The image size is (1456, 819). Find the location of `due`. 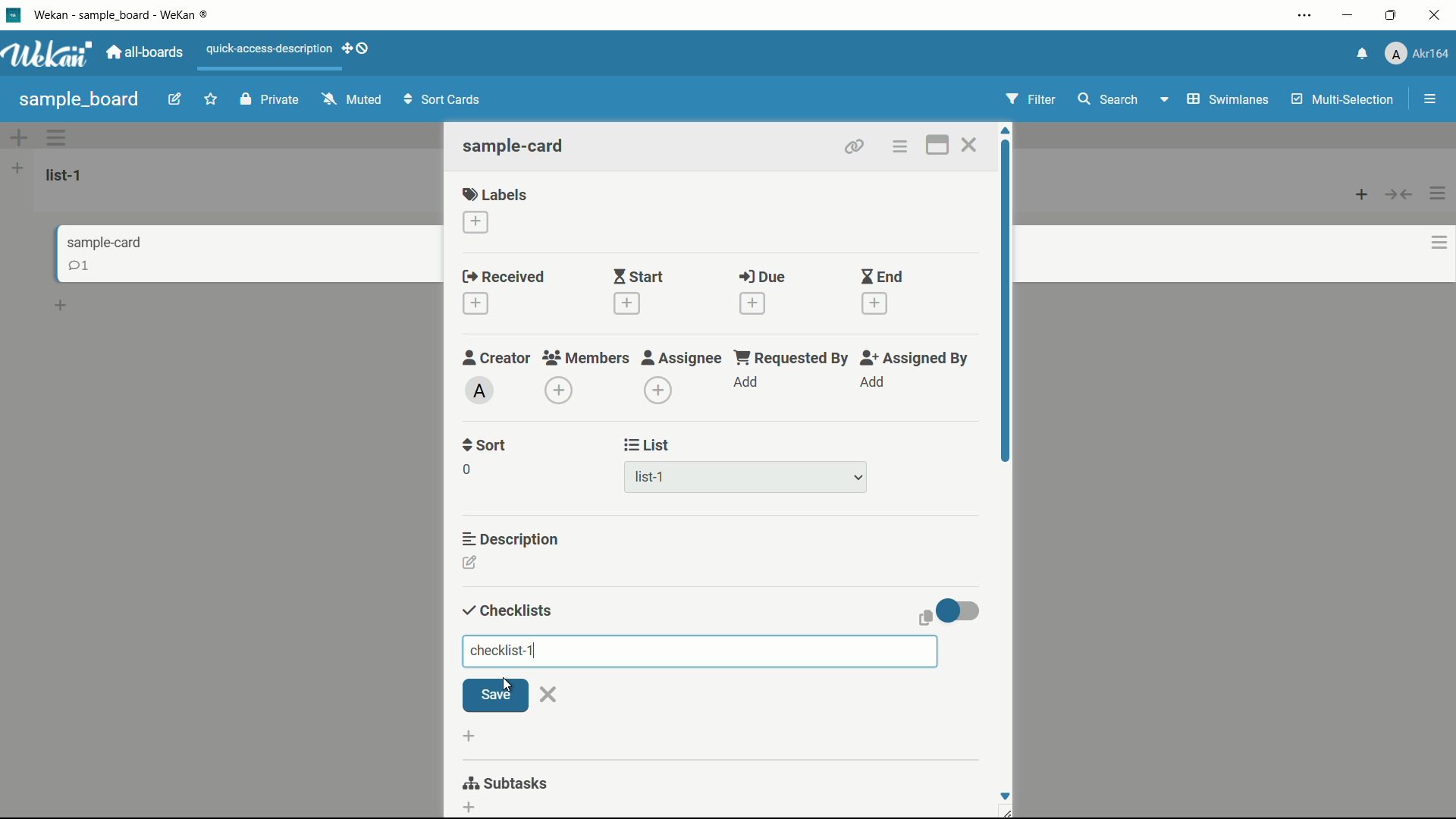

due is located at coordinates (762, 278).